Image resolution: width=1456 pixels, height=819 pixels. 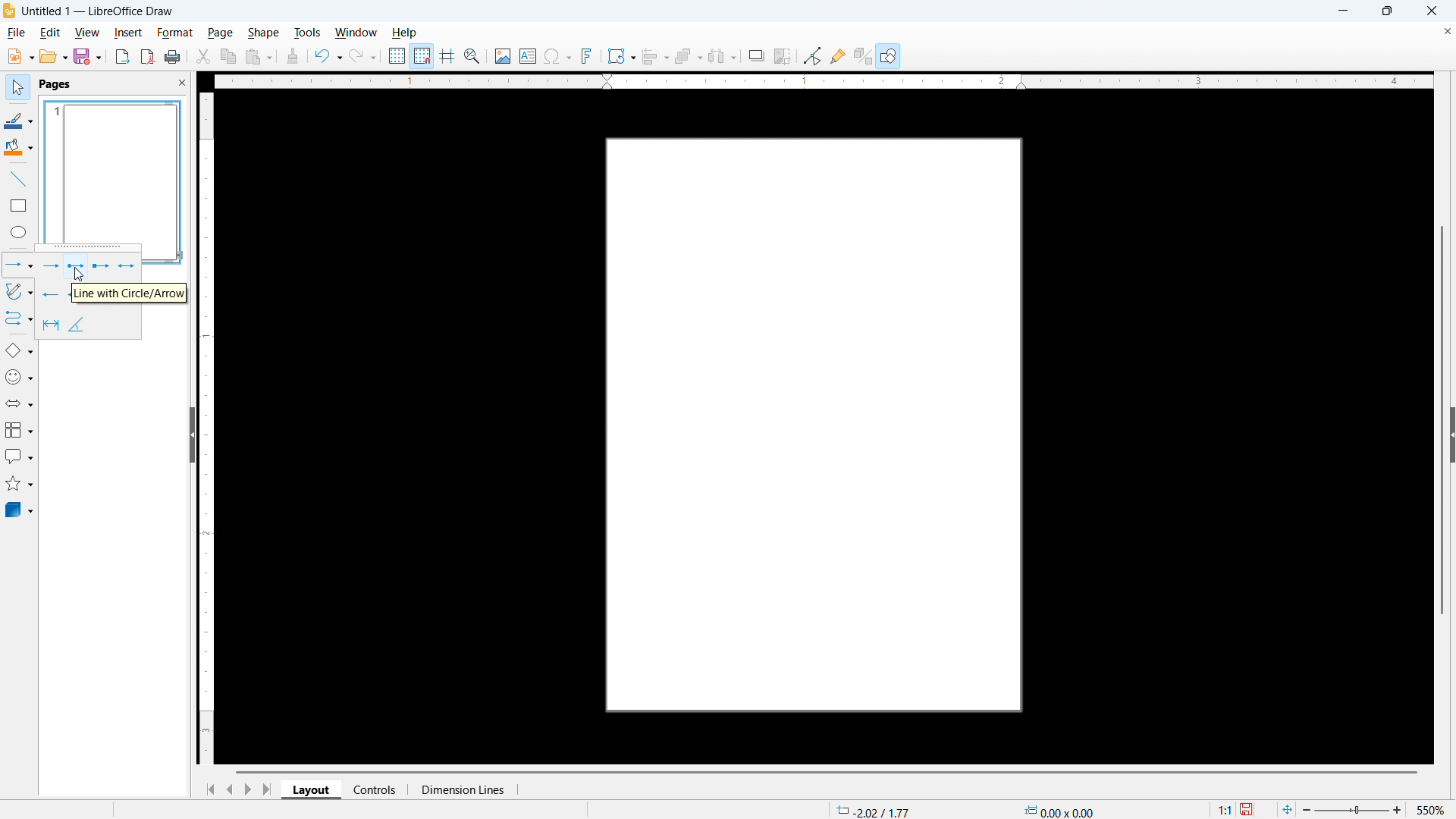 I want to click on Select , so click(x=18, y=89).